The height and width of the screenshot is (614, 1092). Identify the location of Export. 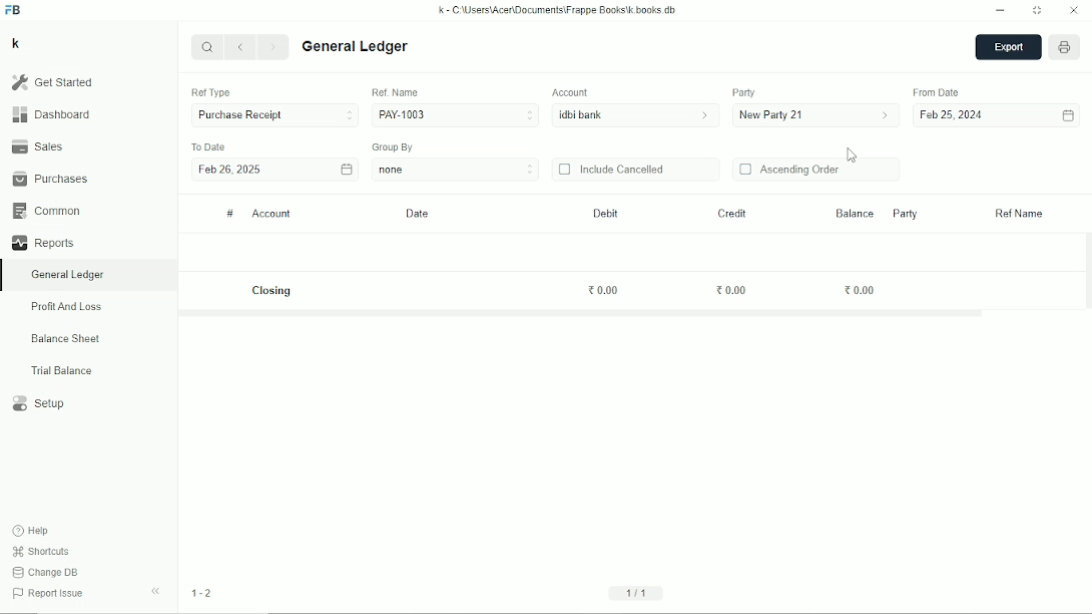
(1008, 48).